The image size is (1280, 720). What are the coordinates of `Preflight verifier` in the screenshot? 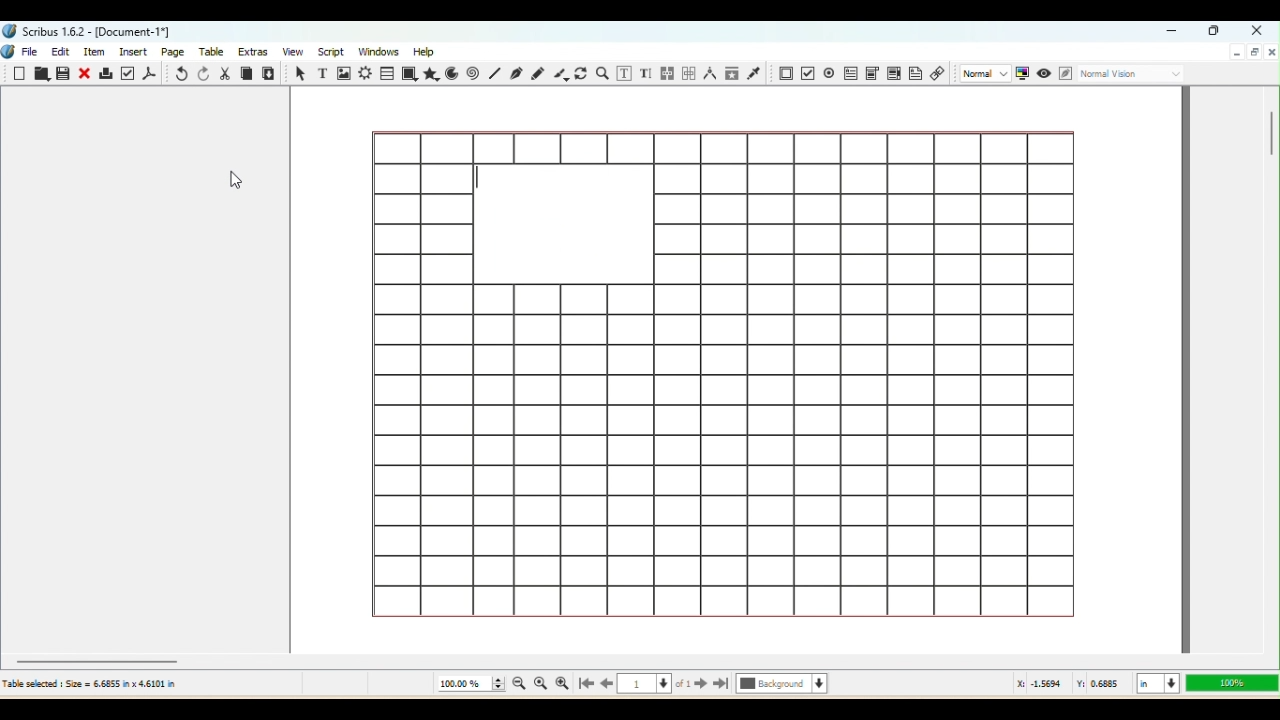 It's located at (129, 73).